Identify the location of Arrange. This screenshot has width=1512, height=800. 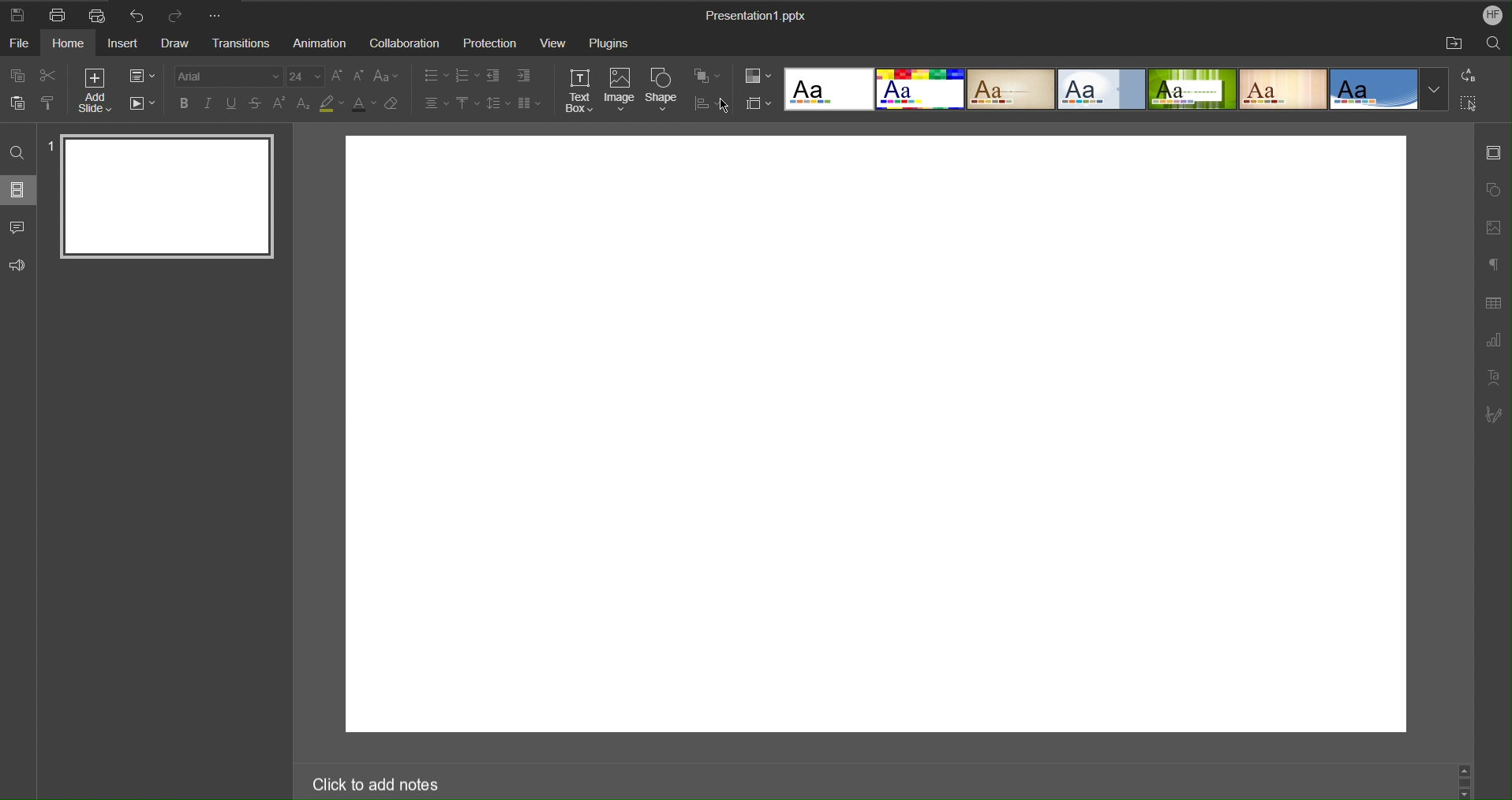
(707, 76).